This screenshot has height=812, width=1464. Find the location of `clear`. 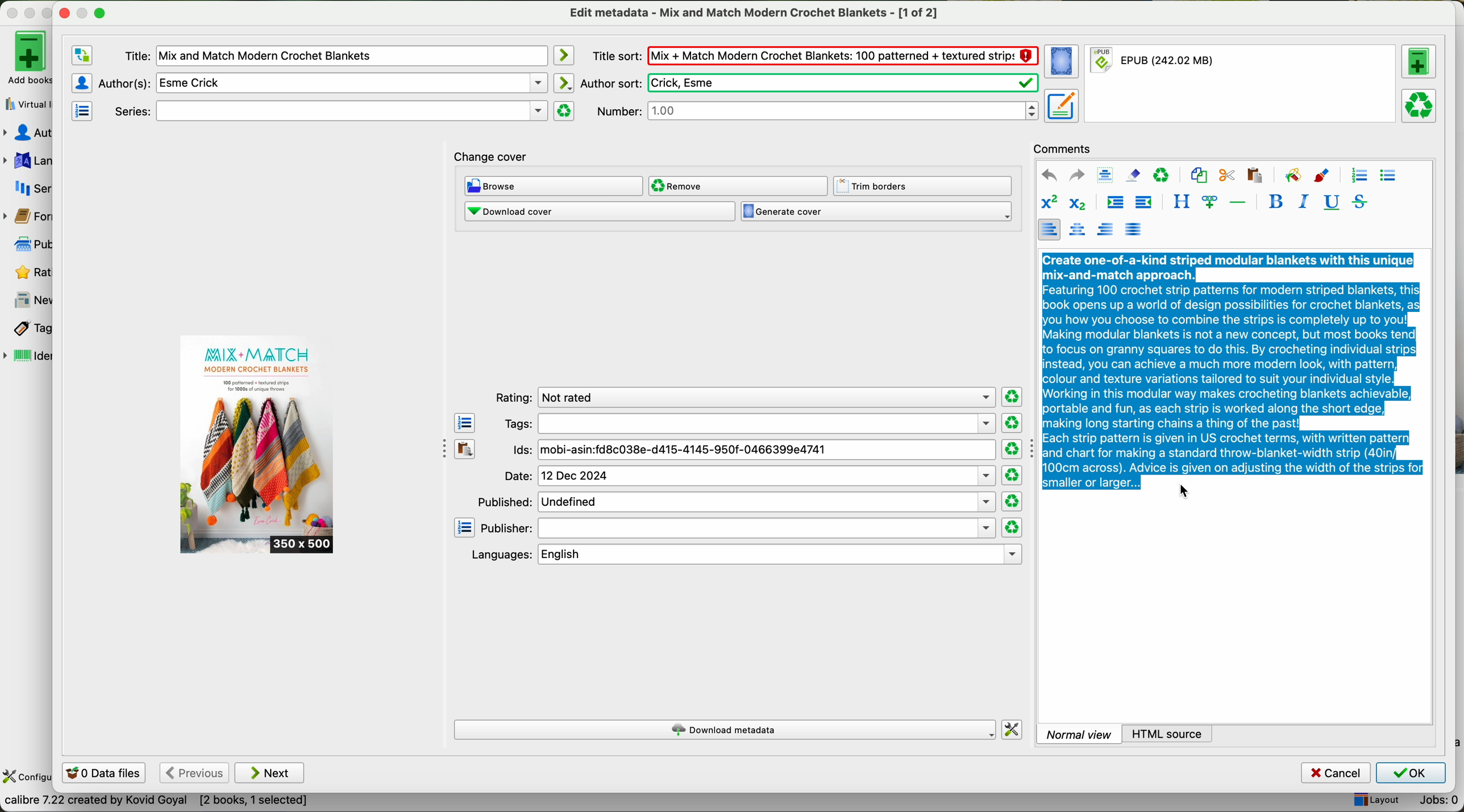

clear is located at coordinates (1162, 176).